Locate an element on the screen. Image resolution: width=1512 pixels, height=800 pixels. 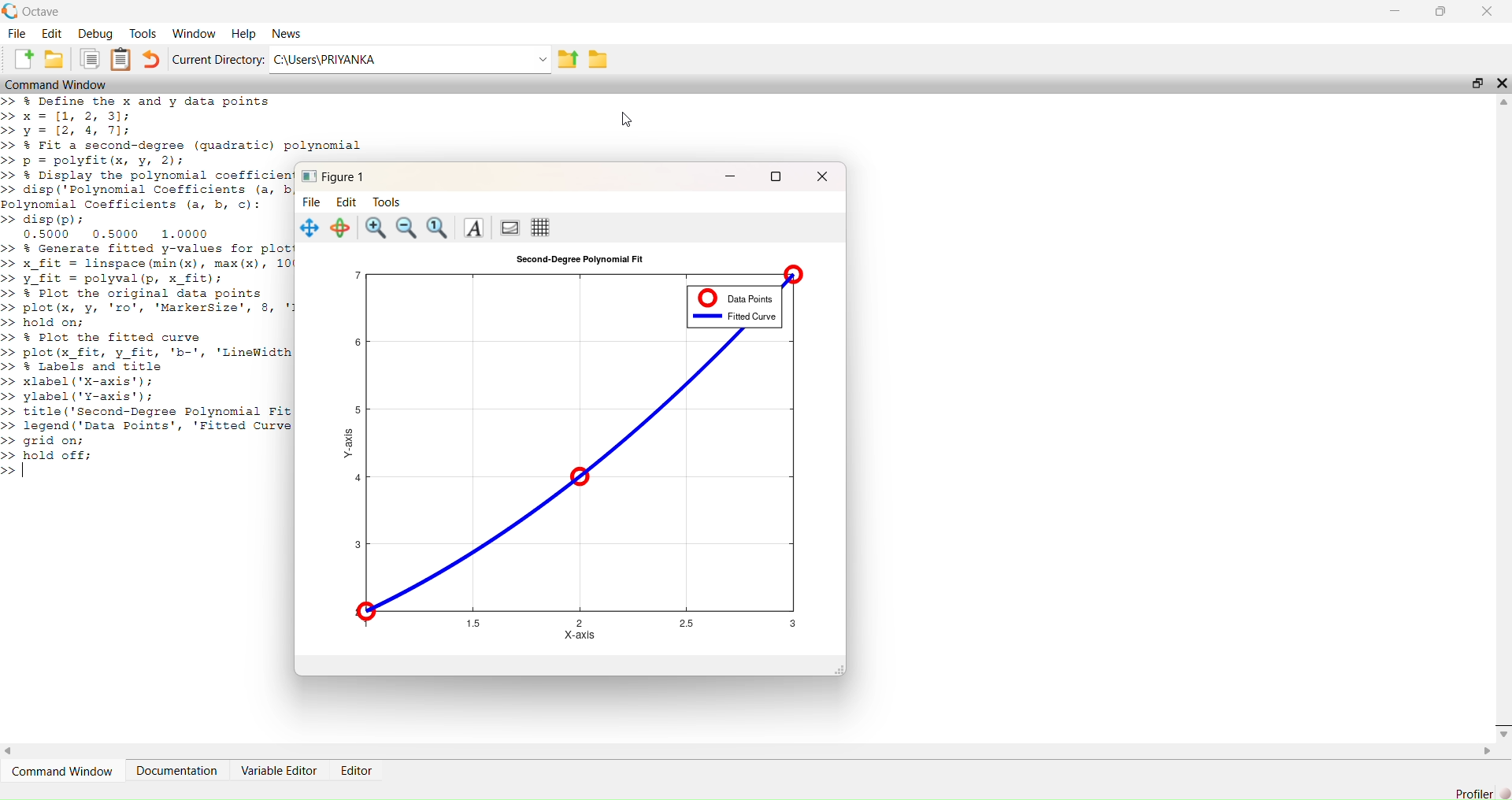
Close is located at coordinates (1488, 12).